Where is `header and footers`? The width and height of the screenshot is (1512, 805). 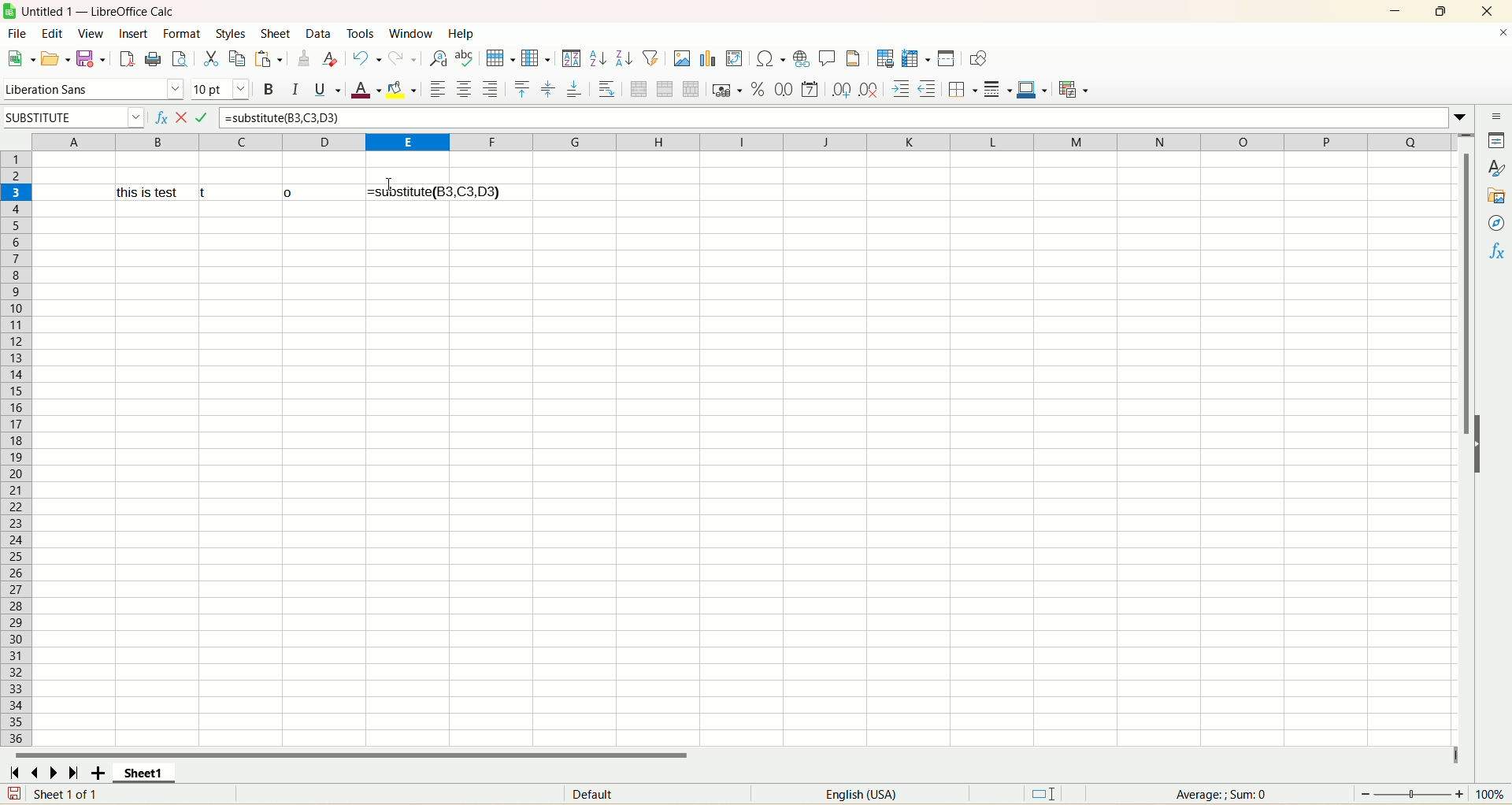
header and footers is located at coordinates (854, 58).